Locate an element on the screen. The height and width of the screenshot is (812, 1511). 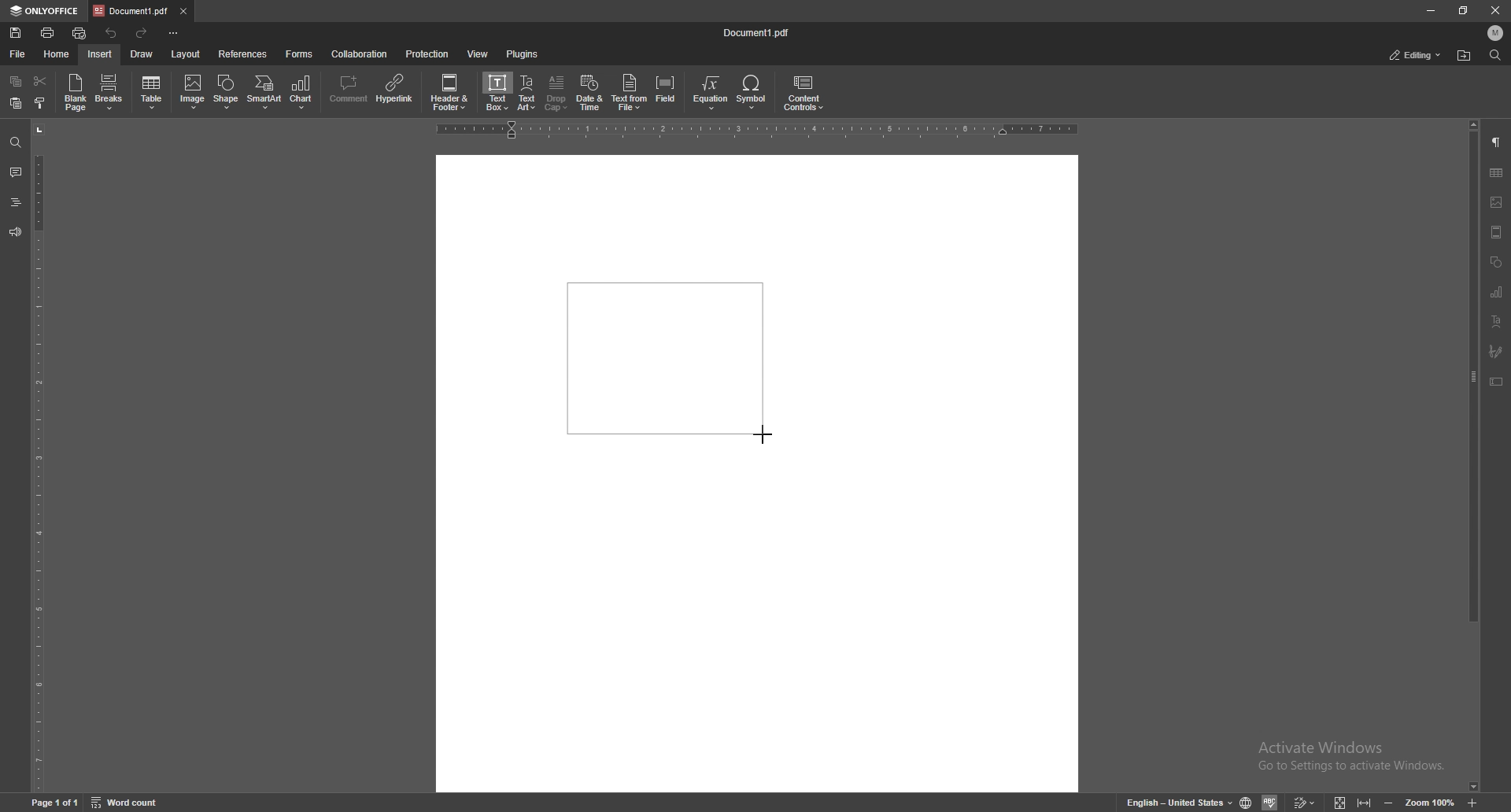
onlyoffice is located at coordinates (45, 12).